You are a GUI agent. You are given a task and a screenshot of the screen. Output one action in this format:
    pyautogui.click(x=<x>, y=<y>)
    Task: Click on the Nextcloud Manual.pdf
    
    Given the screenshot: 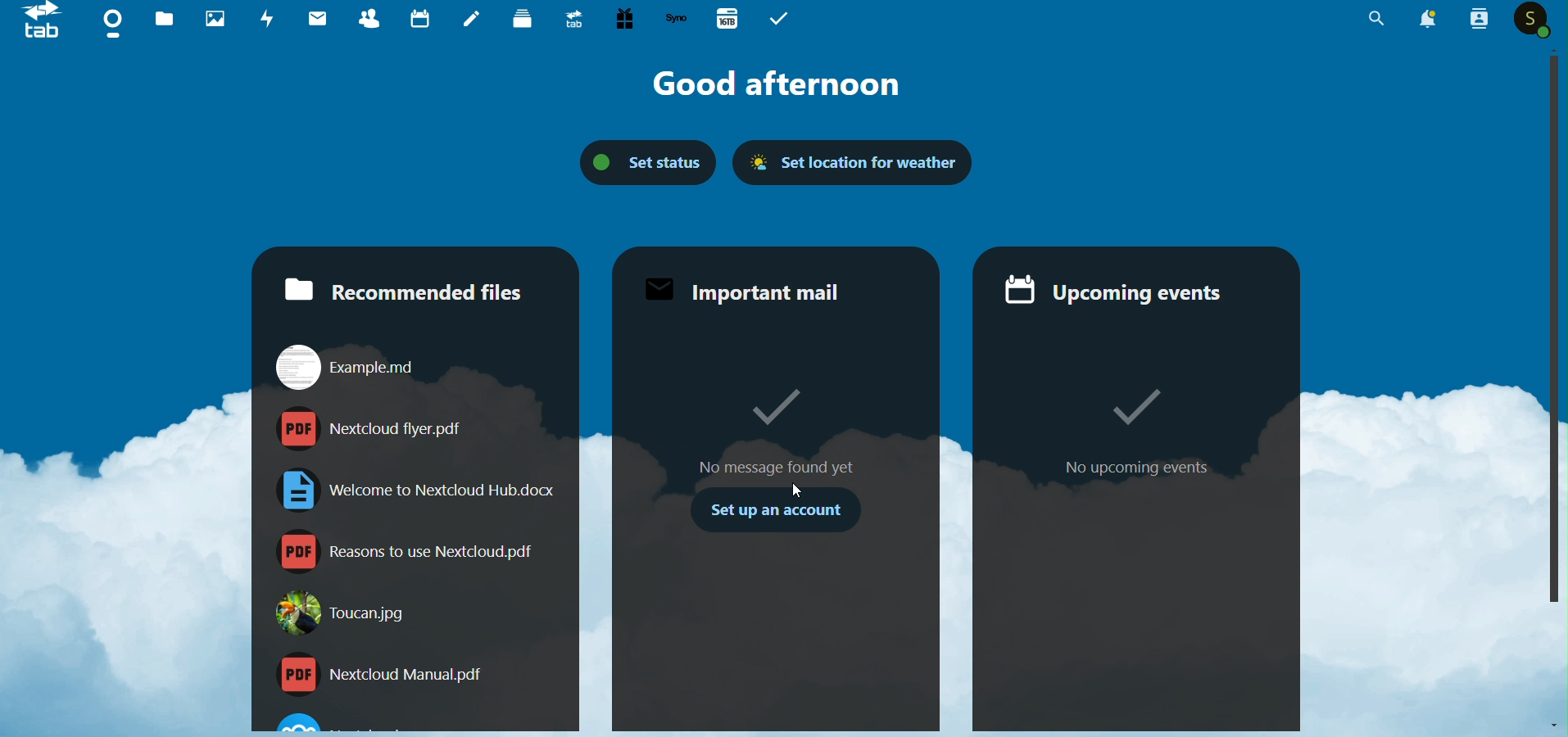 What is the action you would take?
    pyautogui.click(x=378, y=676)
    